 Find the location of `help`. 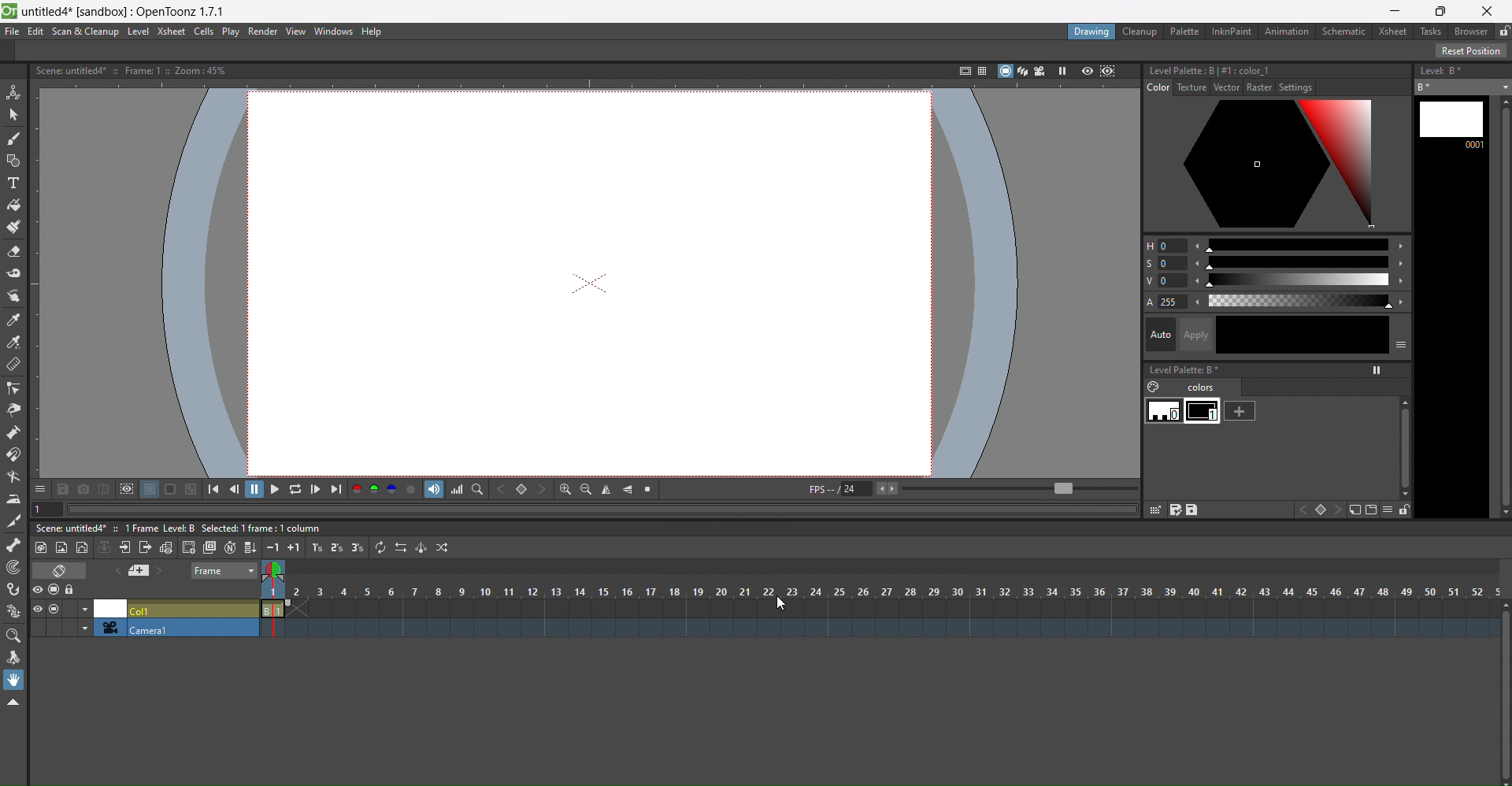

help is located at coordinates (376, 32).